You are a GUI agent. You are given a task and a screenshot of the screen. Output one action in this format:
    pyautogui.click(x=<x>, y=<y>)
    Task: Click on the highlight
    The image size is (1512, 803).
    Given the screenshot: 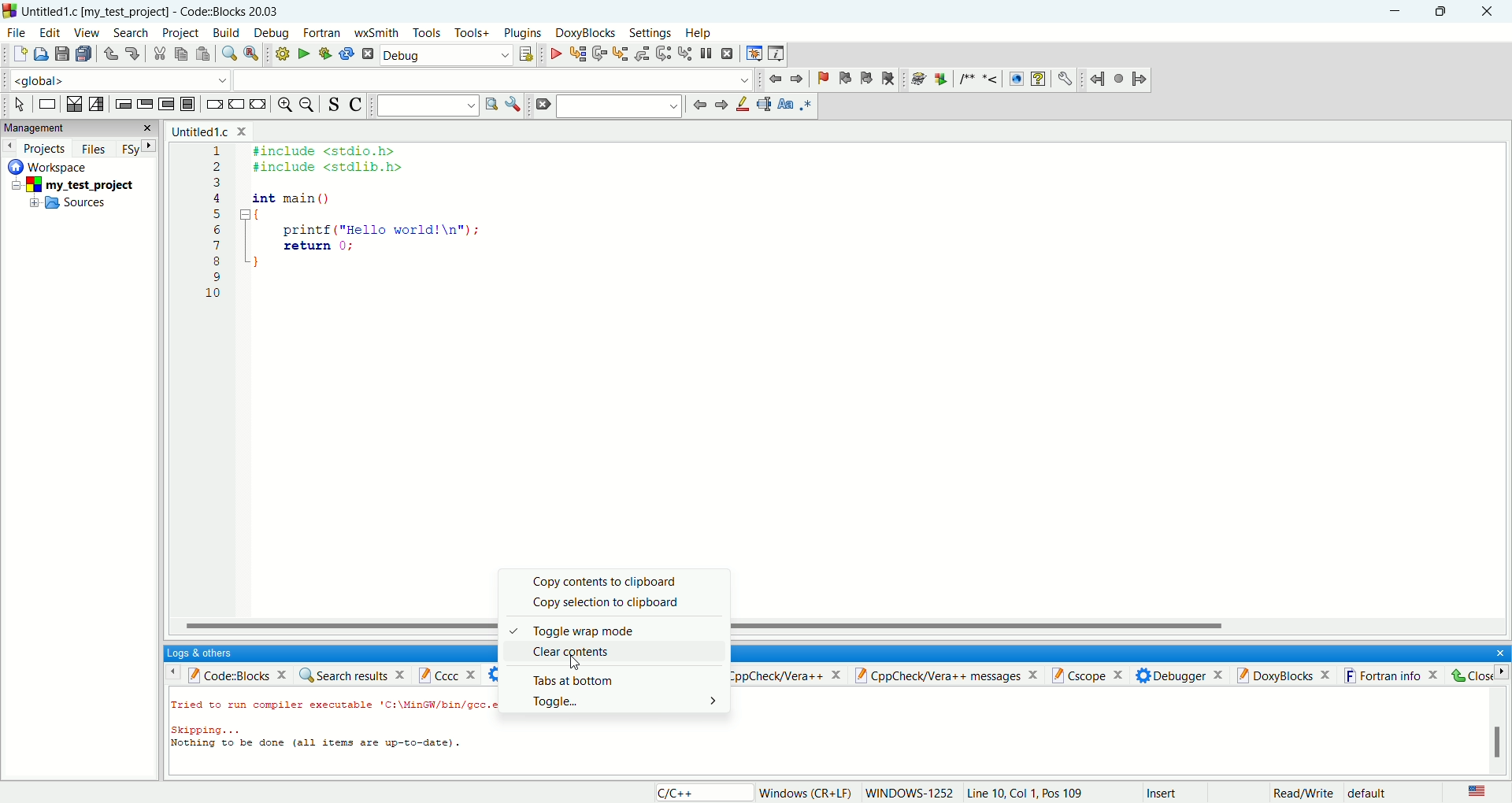 What is the action you would take?
    pyautogui.click(x=743, y=105)
    